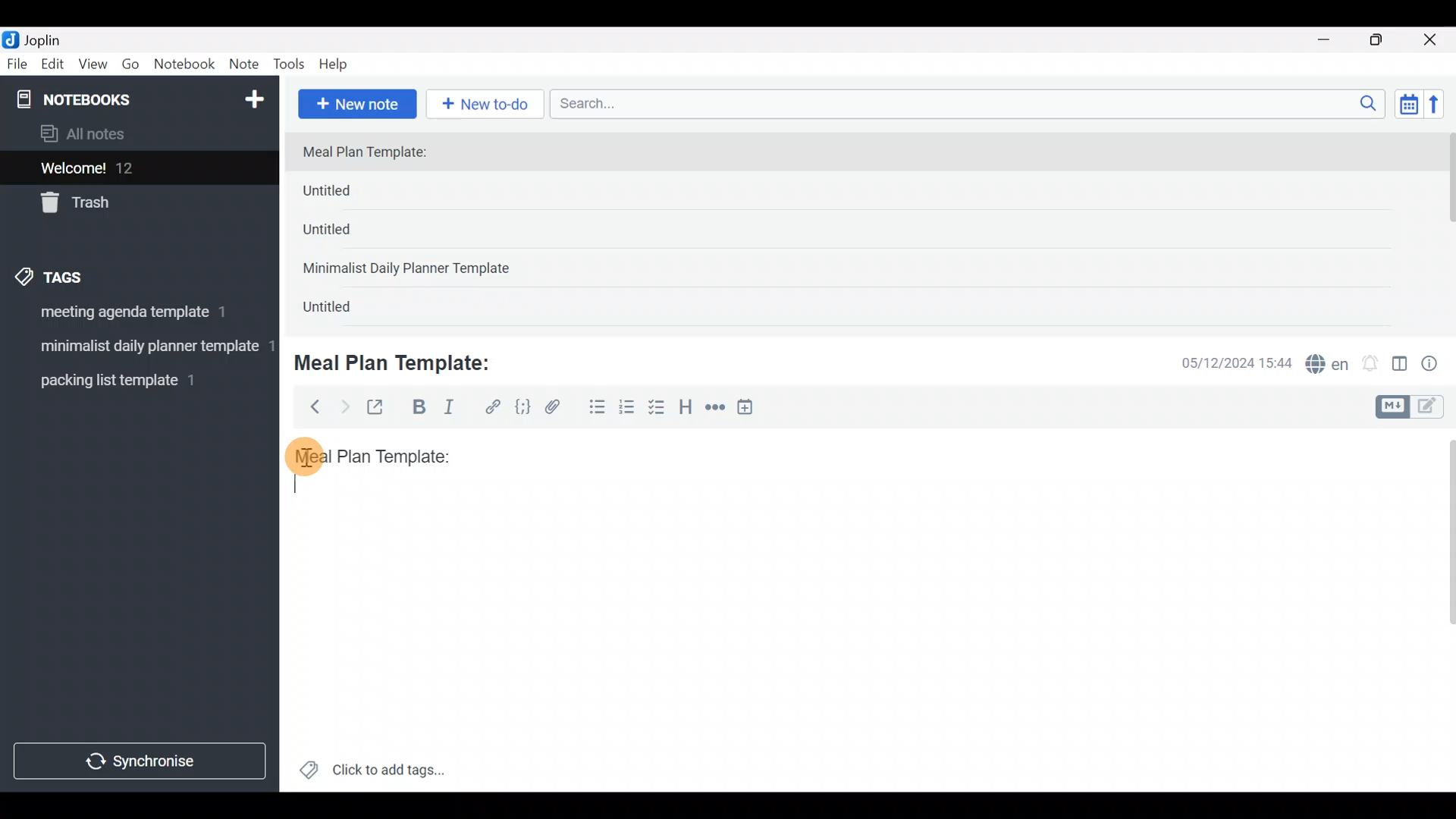 This screenshot has height=819, width=1456. I want to click on Search bar, so click(971, 102).